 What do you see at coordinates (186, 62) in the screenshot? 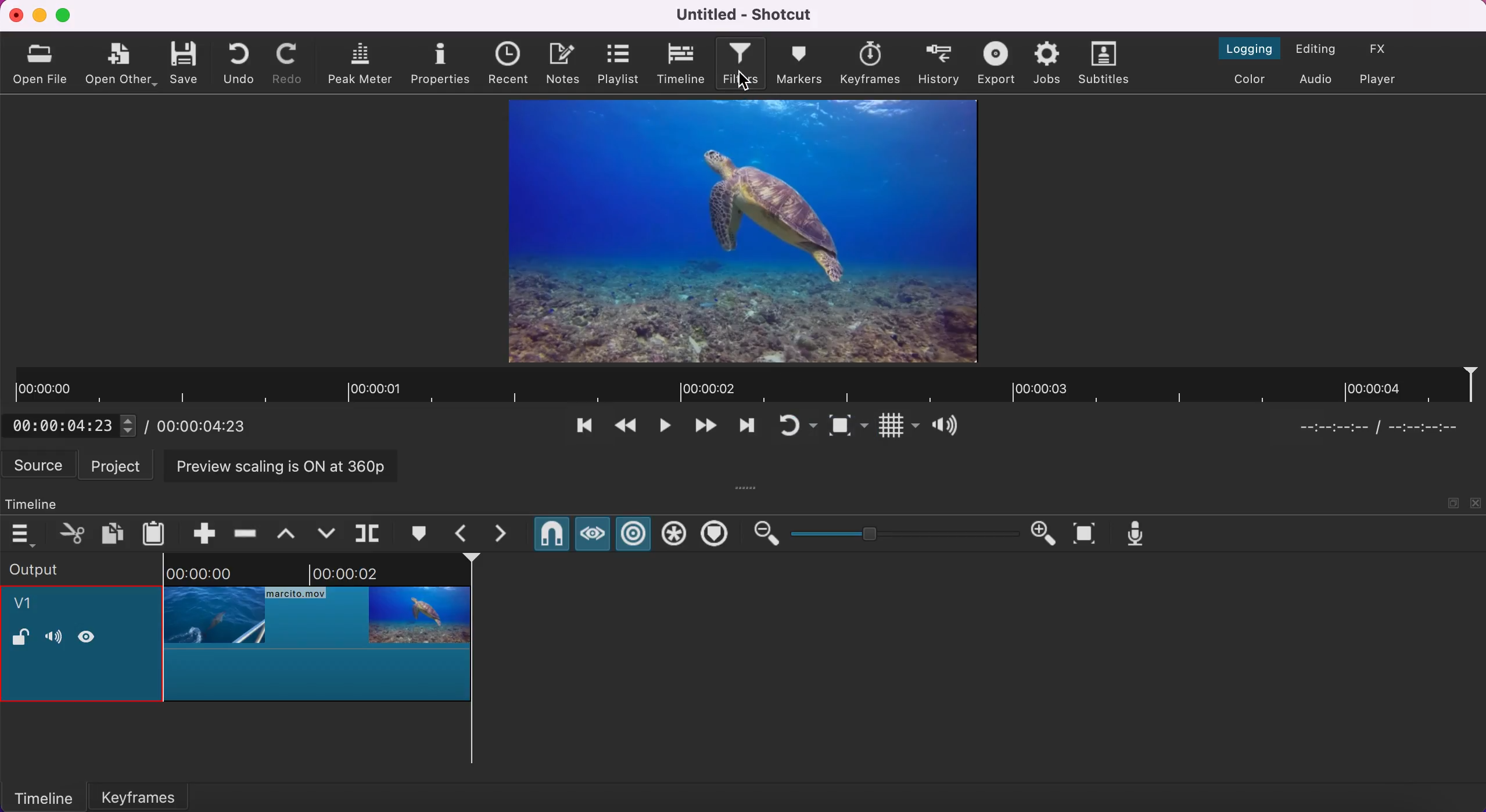
I see `save` at bounding box center [186, 62].